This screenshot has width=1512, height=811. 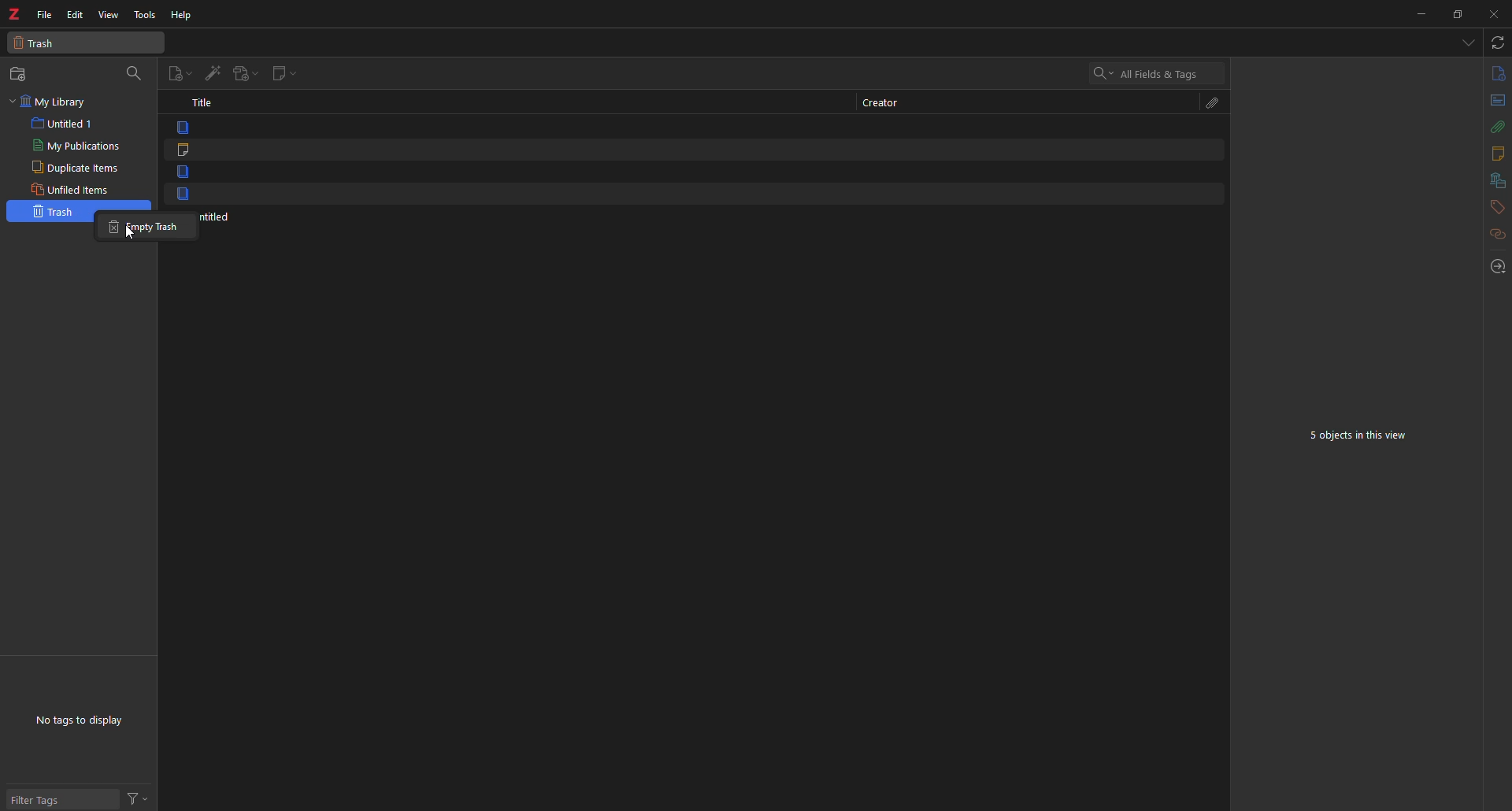 What do you see at coordinates (1419, 14) in the screenshot?
I see `minimize` at bounding box center [1419, 14].